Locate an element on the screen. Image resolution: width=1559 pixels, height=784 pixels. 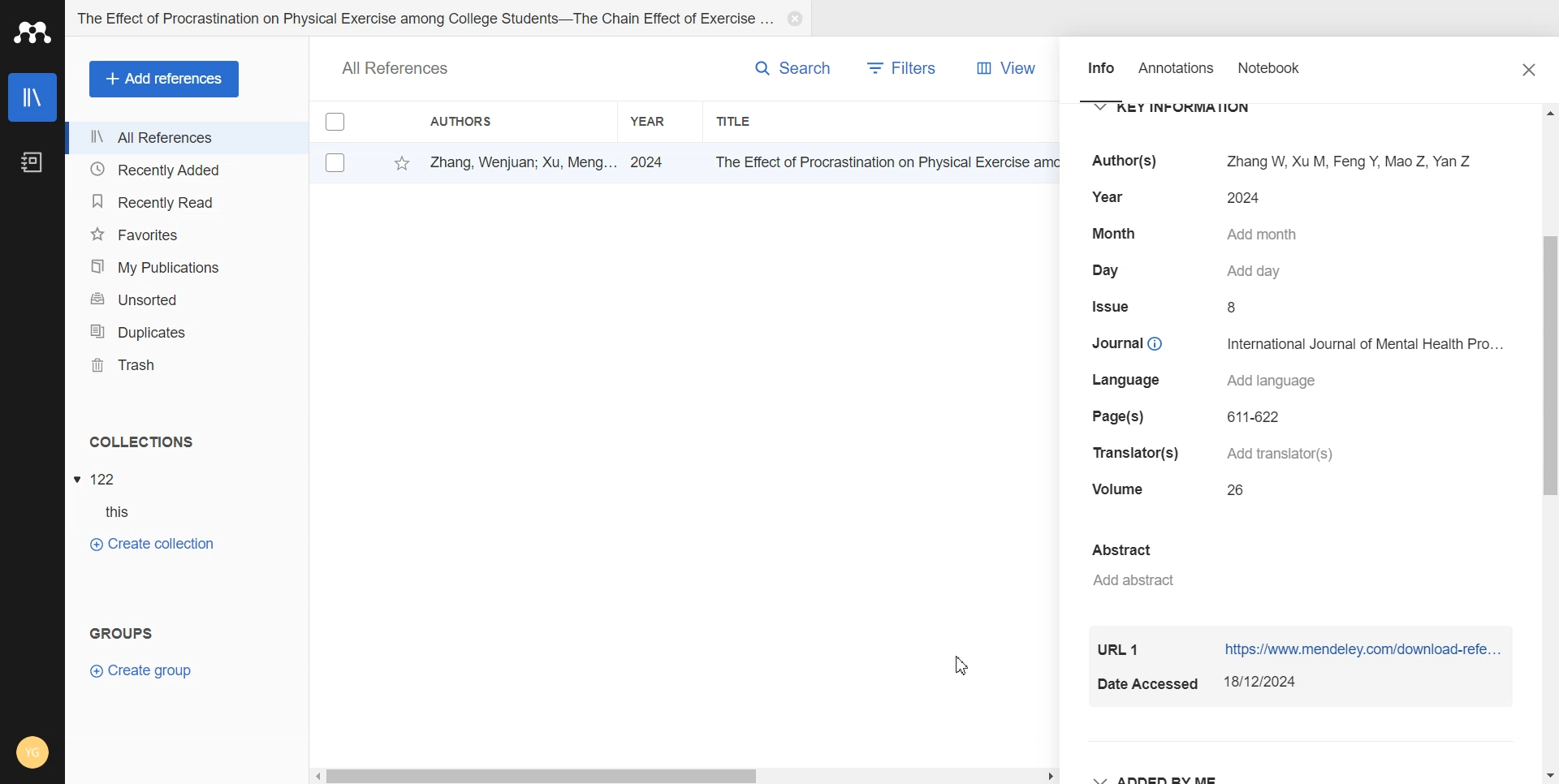
Unsorted is located at coordinates (187, 298).